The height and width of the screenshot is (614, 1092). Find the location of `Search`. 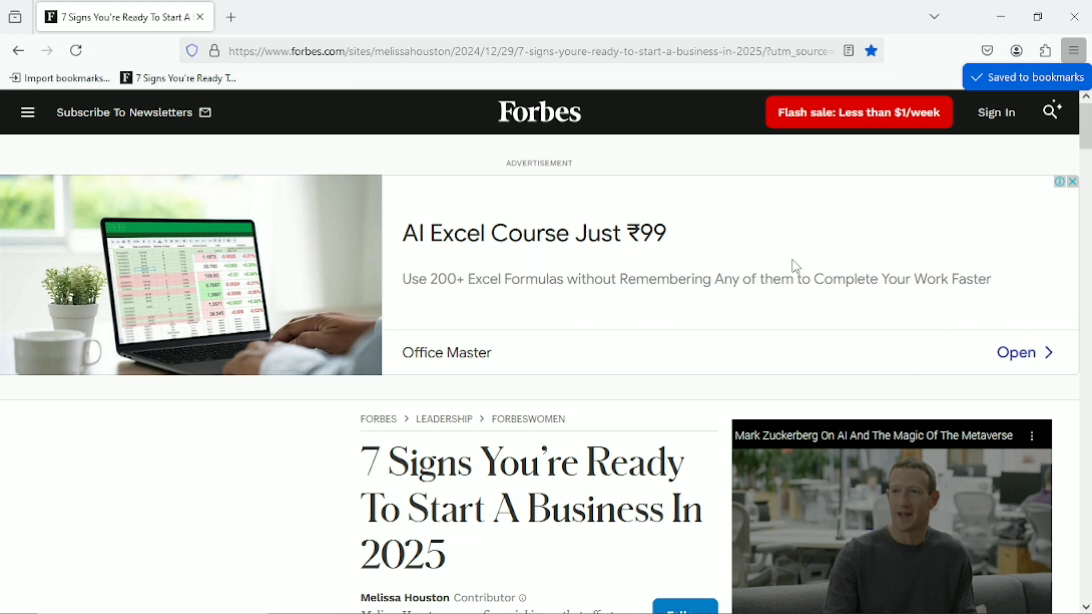

Search is located at coordinates (1053, 113).